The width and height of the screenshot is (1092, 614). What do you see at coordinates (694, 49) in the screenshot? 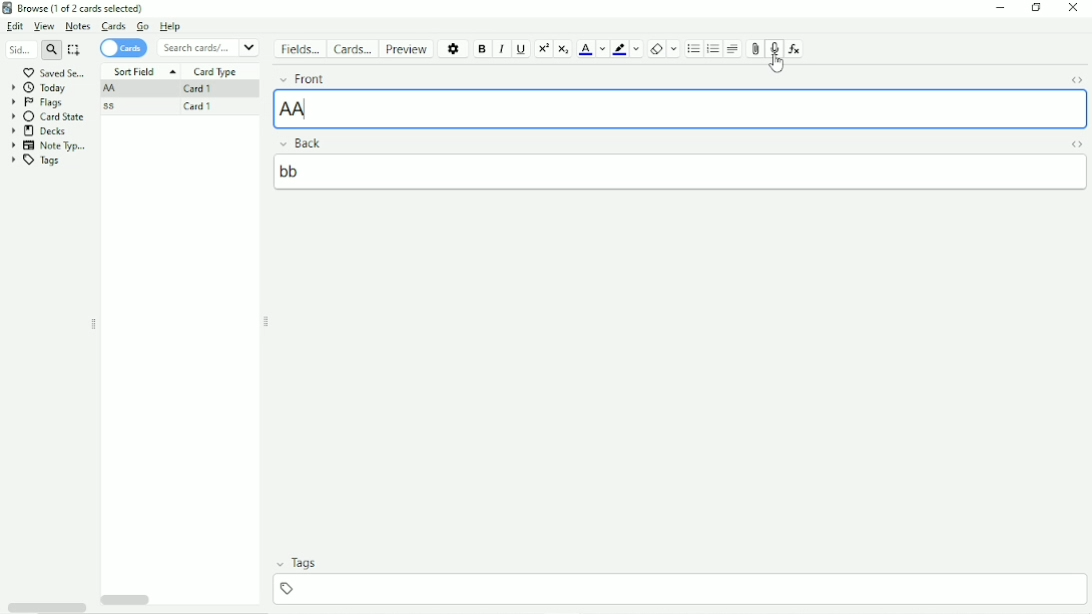
I see `Unordered list` at bounding box center [694, 49].